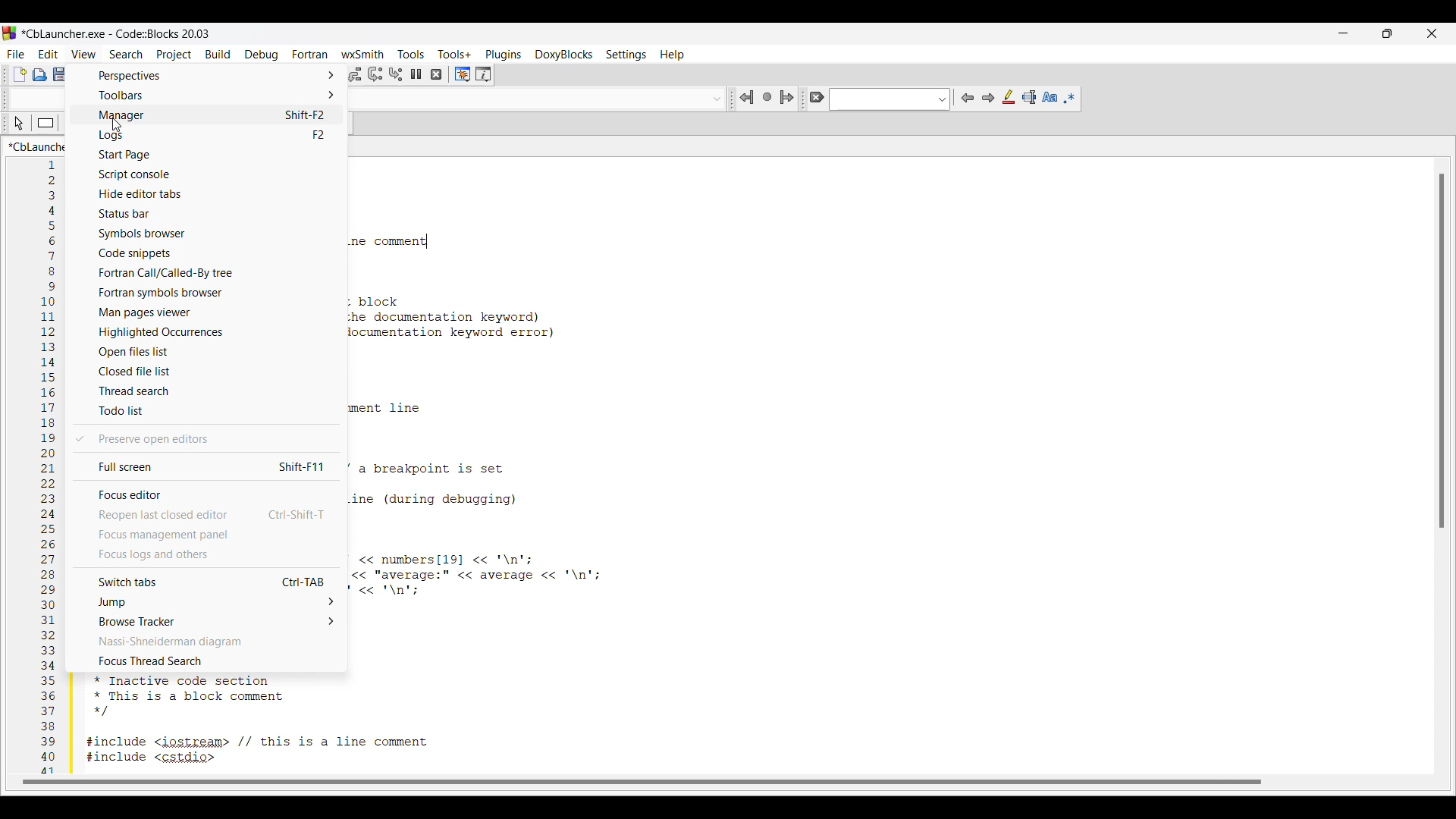 The image size is (1456, 819). Describe the element at coordinates (206, 535) in the screenshot. I see `Focus management panel` at that location.